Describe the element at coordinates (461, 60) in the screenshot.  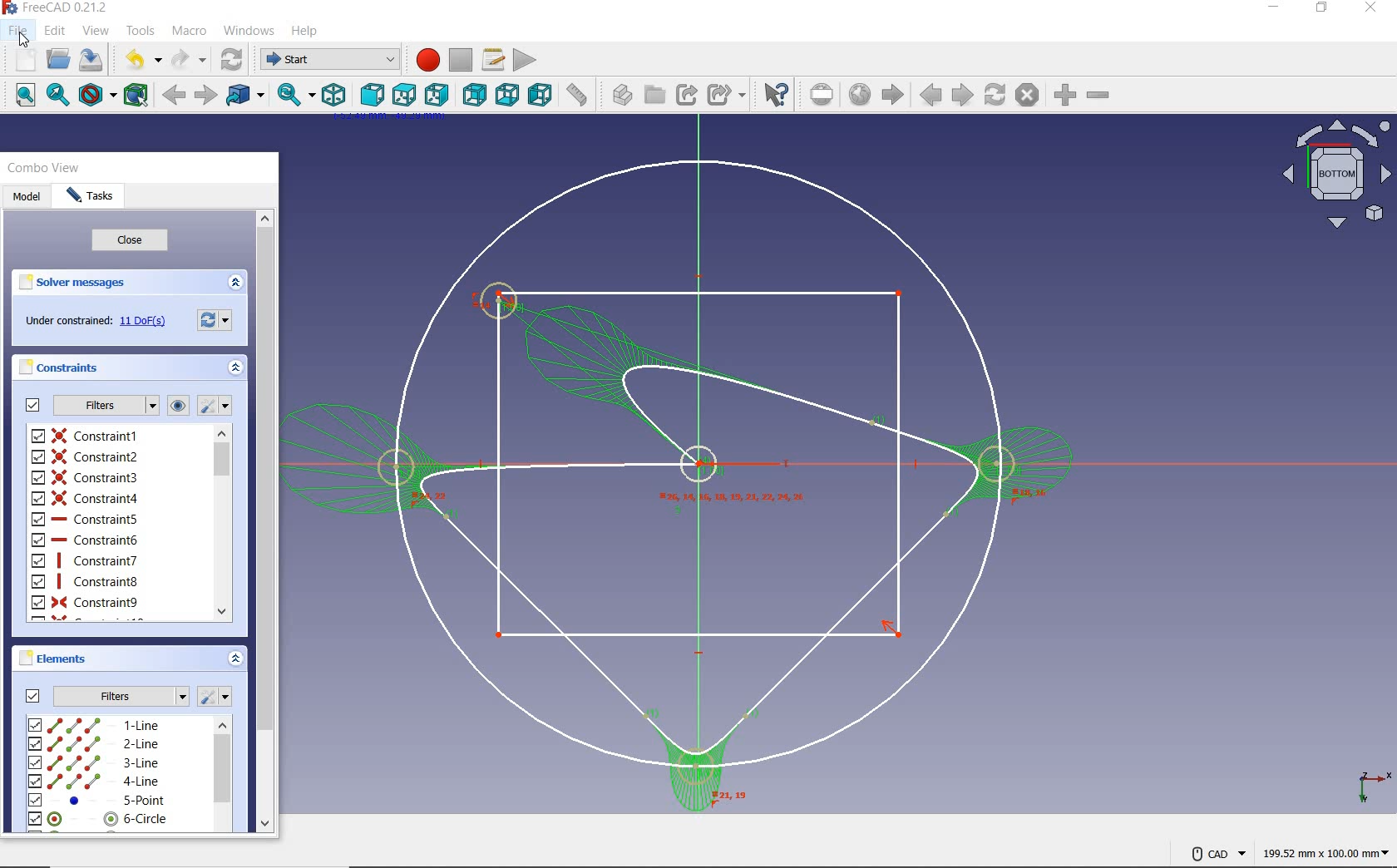
I see `stop macro recording` at that location.